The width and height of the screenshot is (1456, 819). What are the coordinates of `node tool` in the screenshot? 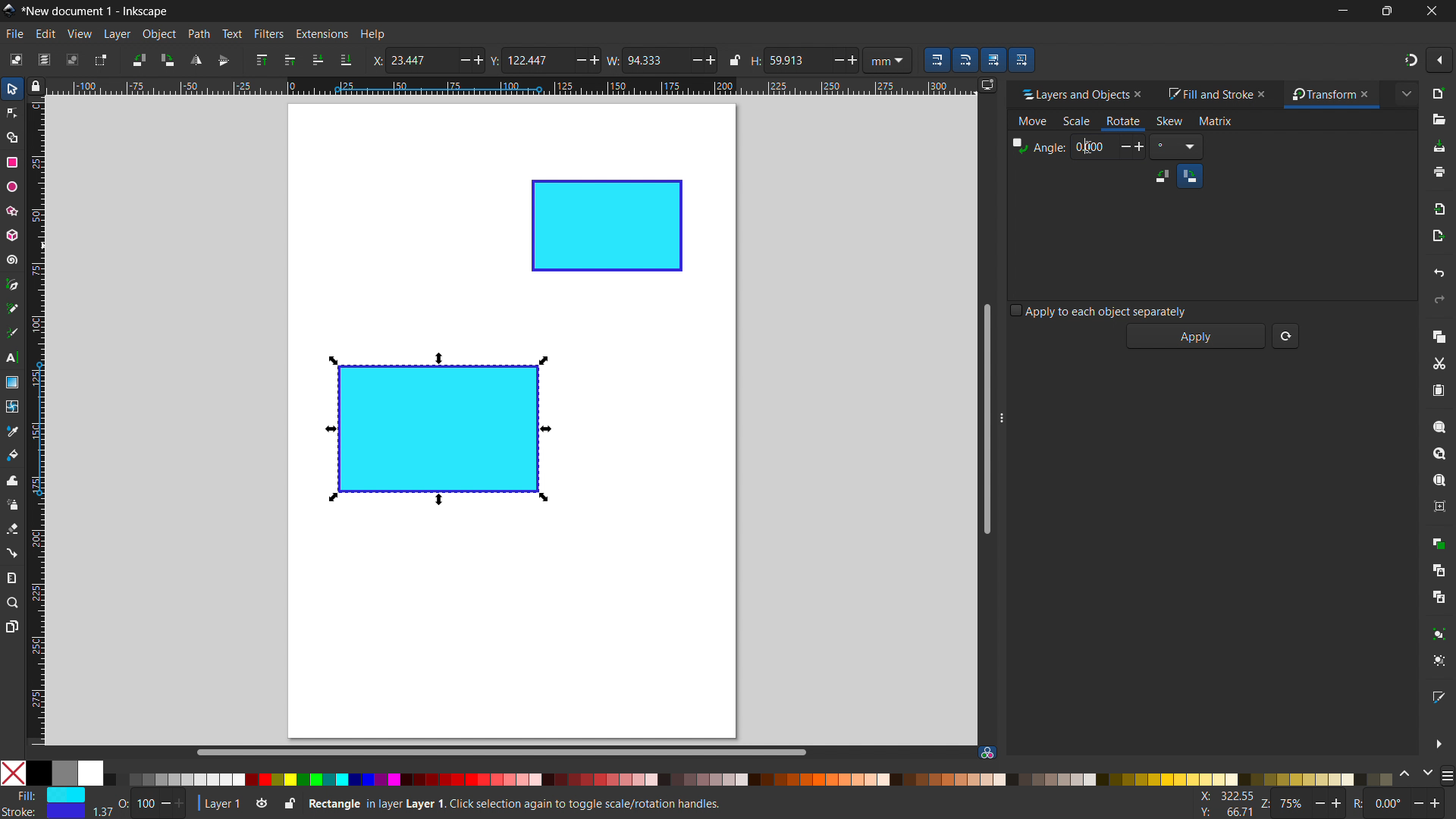 It's located at (11, 111).